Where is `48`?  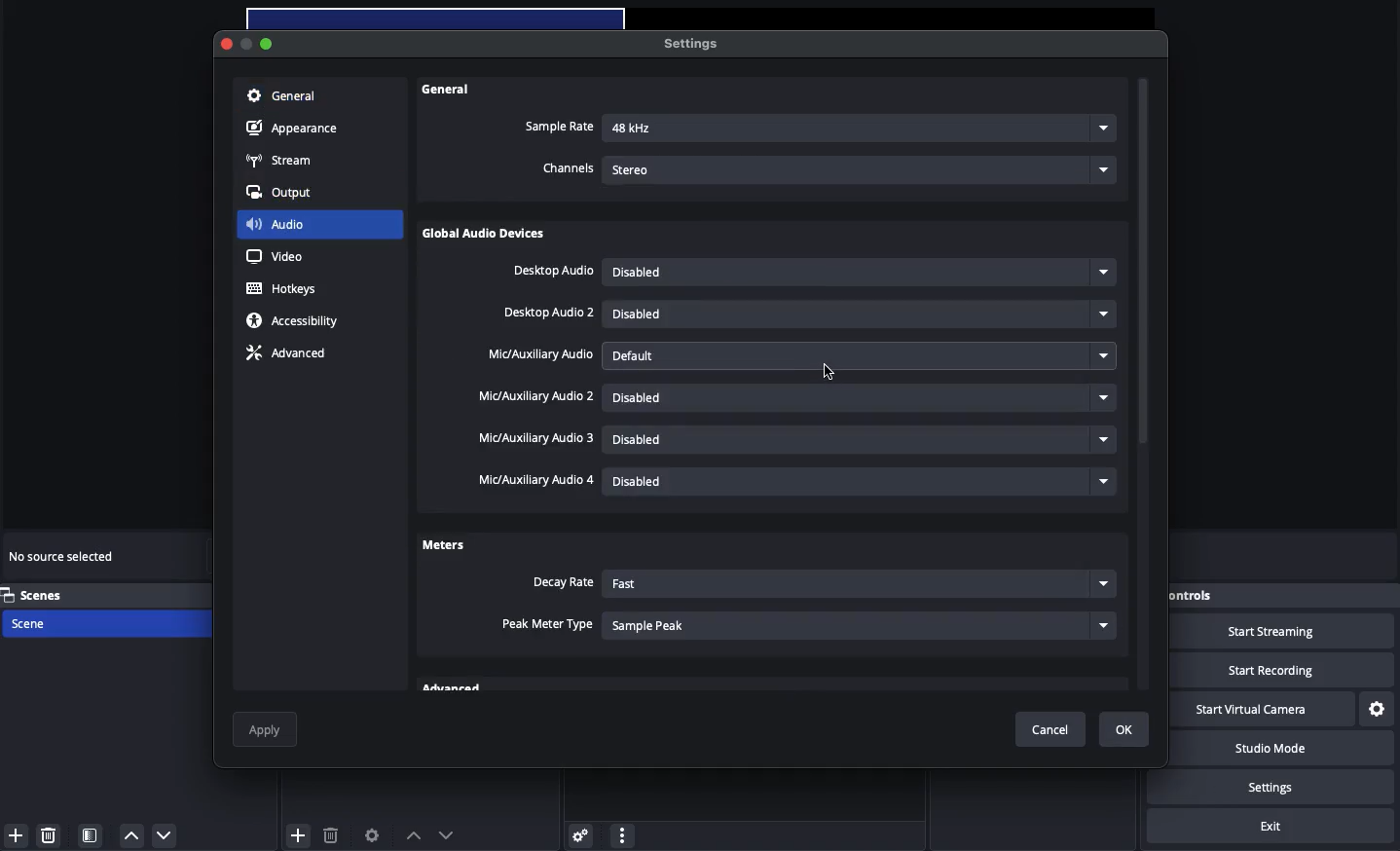
48 is located at coordinates (861, 129).